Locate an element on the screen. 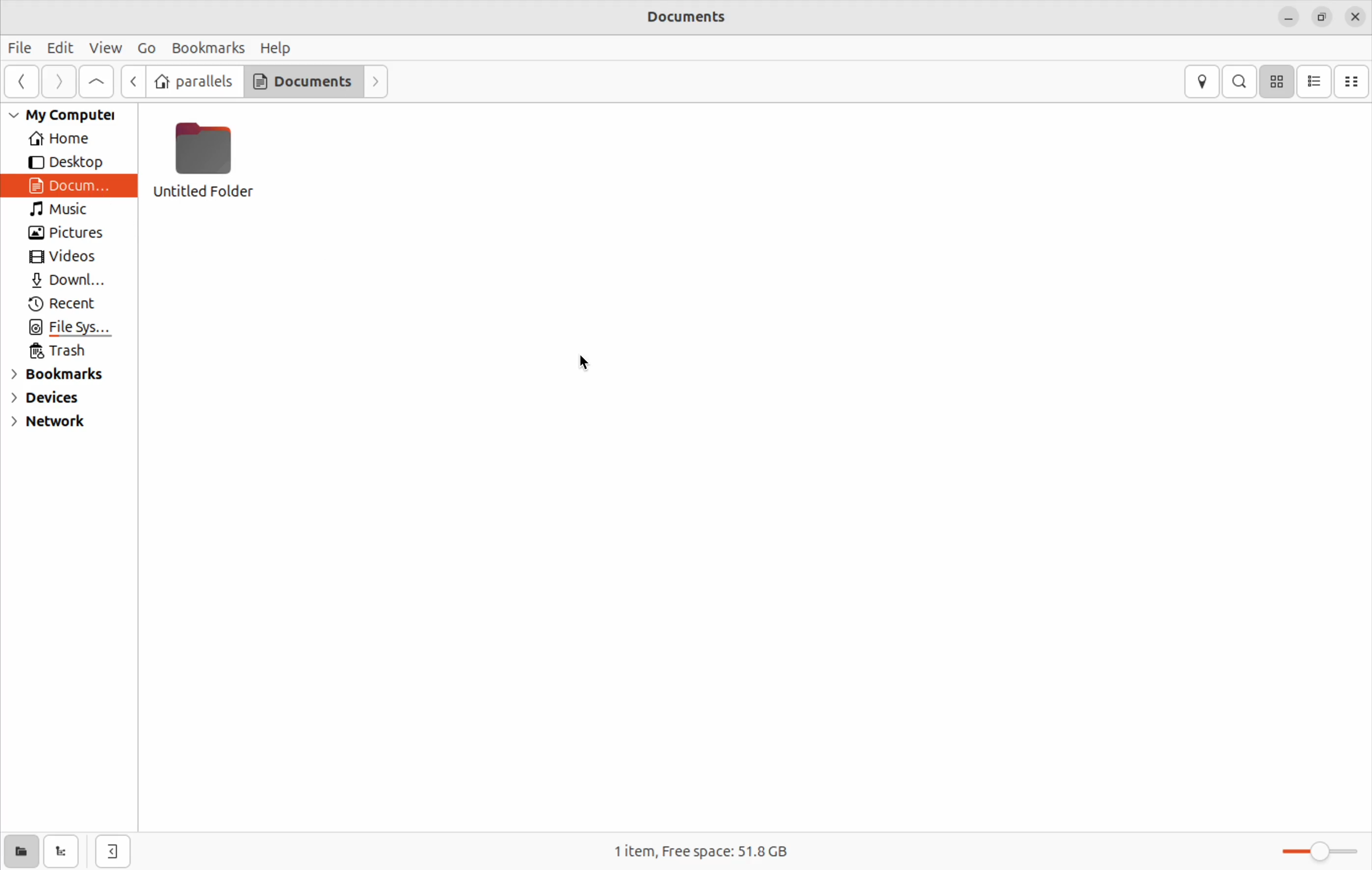  My computer is located at coordinates (69, 115).